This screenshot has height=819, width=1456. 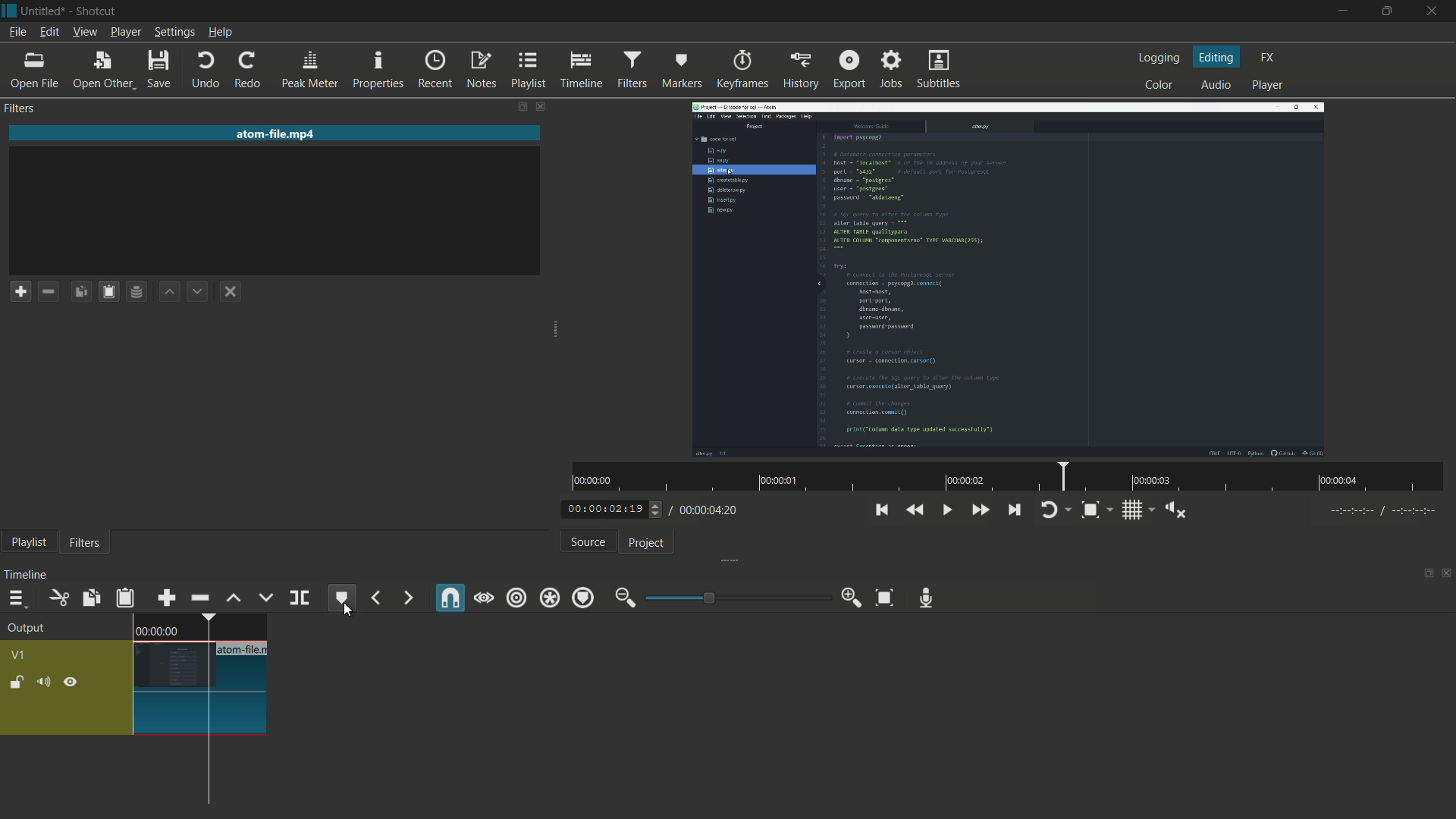 I want to click on copy, so click(x=89, y=598).